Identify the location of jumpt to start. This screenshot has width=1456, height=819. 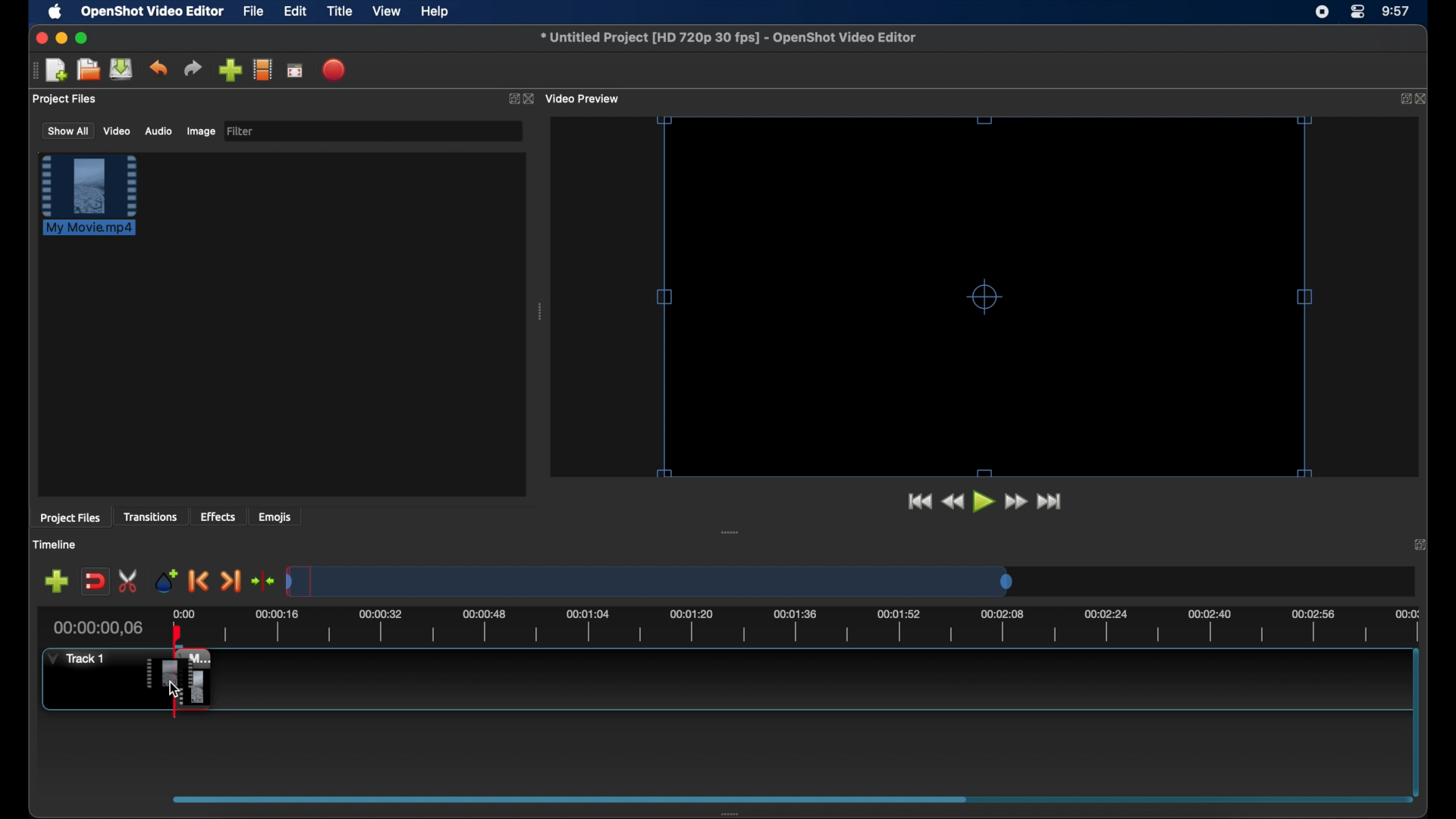
(918, 501).